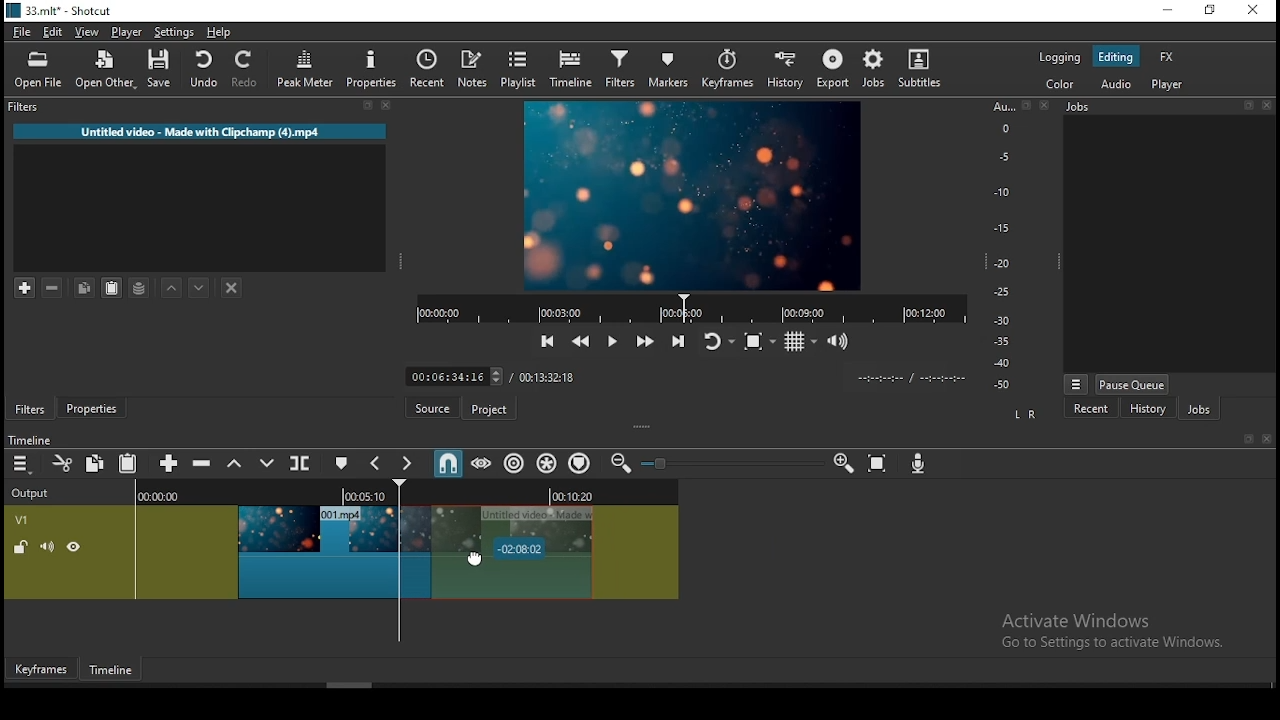 Image resolution: width=1280 pixels, height=720 pixels. What do you see at coordinates (1024, 416) in the screenshot?
I see `LR` at bounding box center [1024, 416].